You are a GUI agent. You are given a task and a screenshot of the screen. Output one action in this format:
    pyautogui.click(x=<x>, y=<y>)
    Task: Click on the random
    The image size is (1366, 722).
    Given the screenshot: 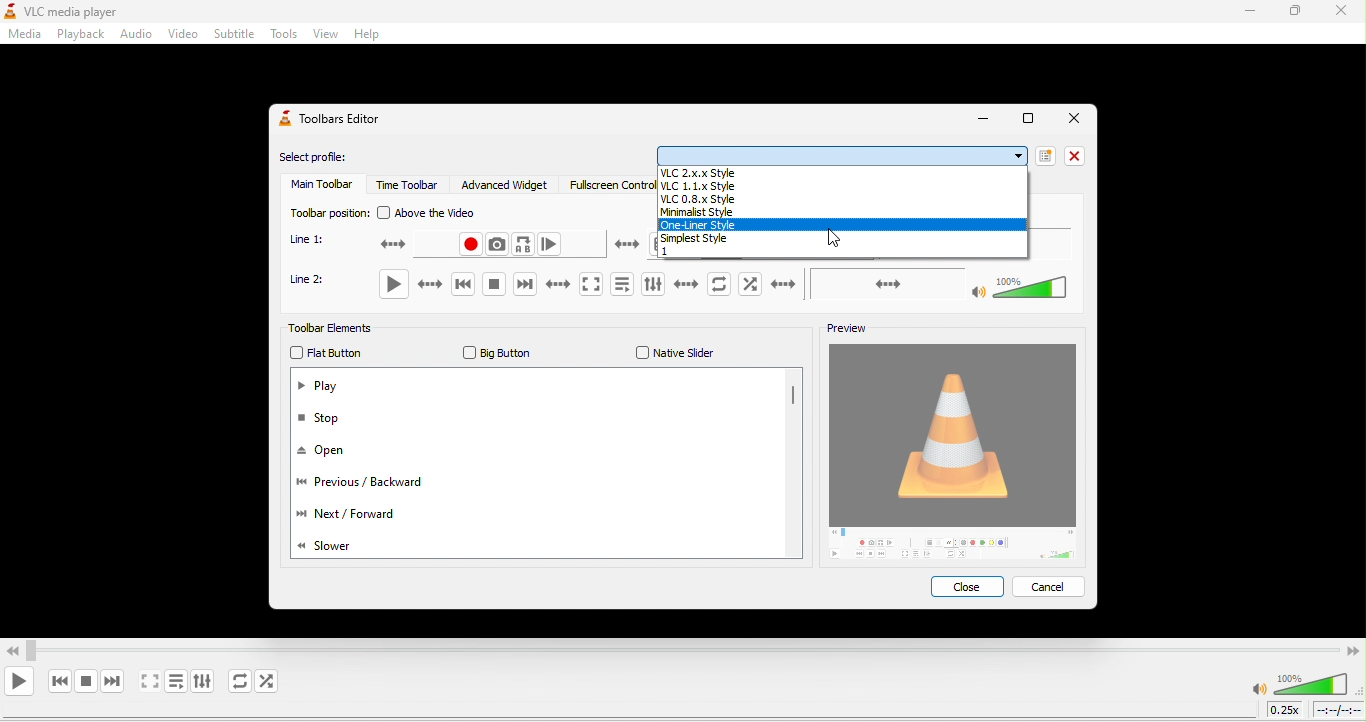 What is the action you would take?
    pyautogui.click(x=769, y=285)
    